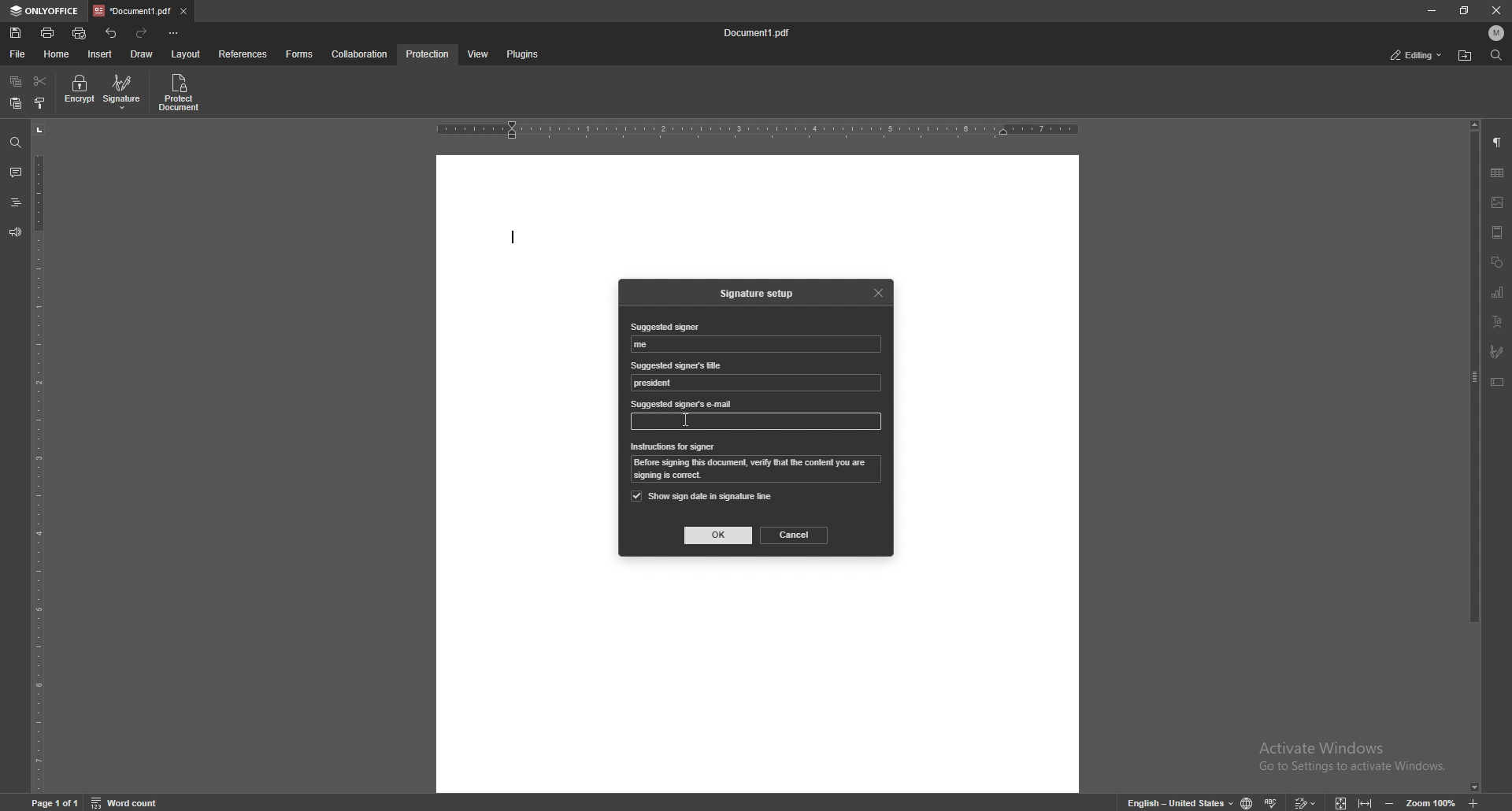 This screenshot has width=1512, height=811. I want to click on home, so click(59, 54).